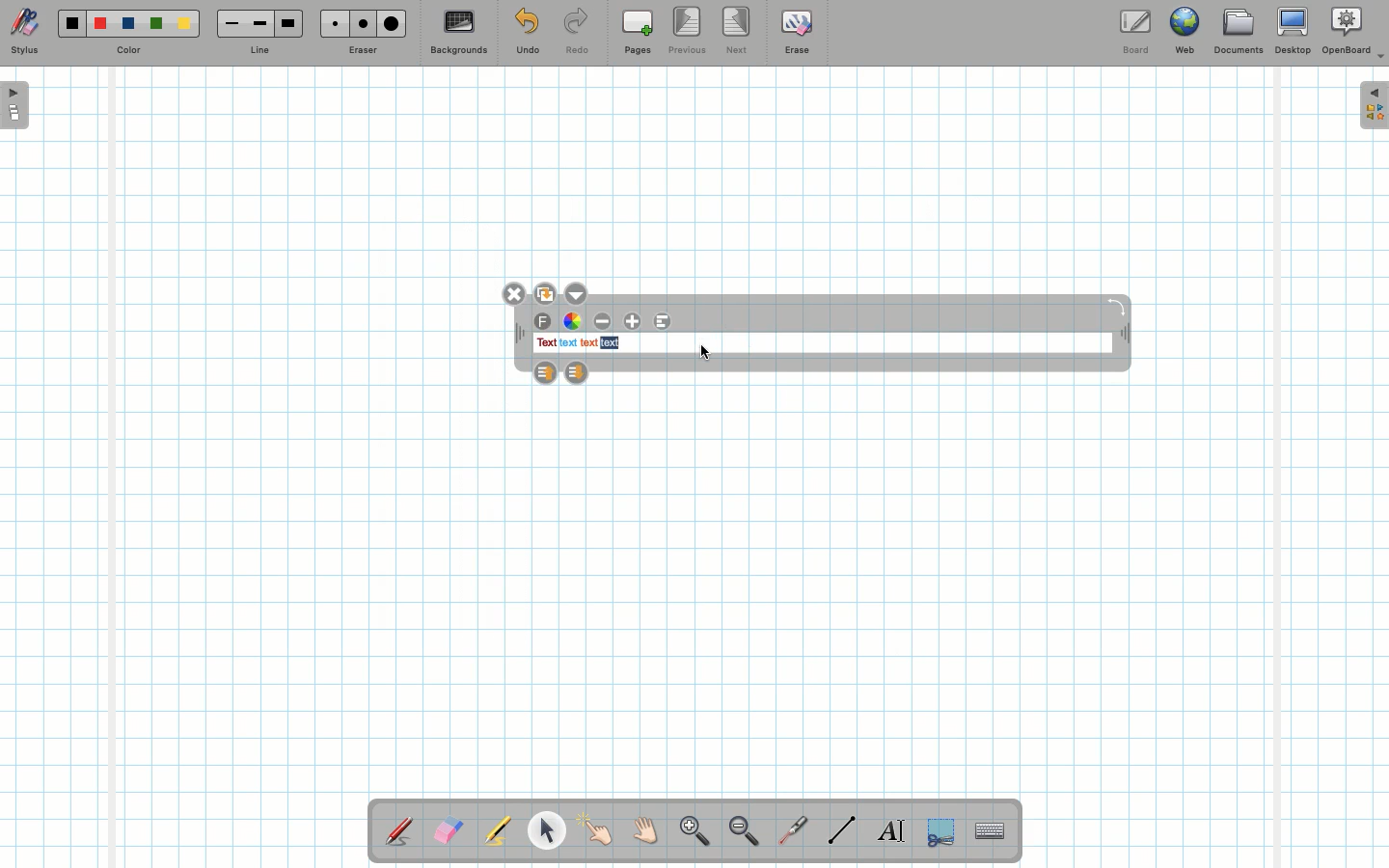 The height and width of the screenshot is (868, 1389). What do you see at coordinates (70, 23) in the screenshot?
I see `Black` at bounding box center [70, 23].